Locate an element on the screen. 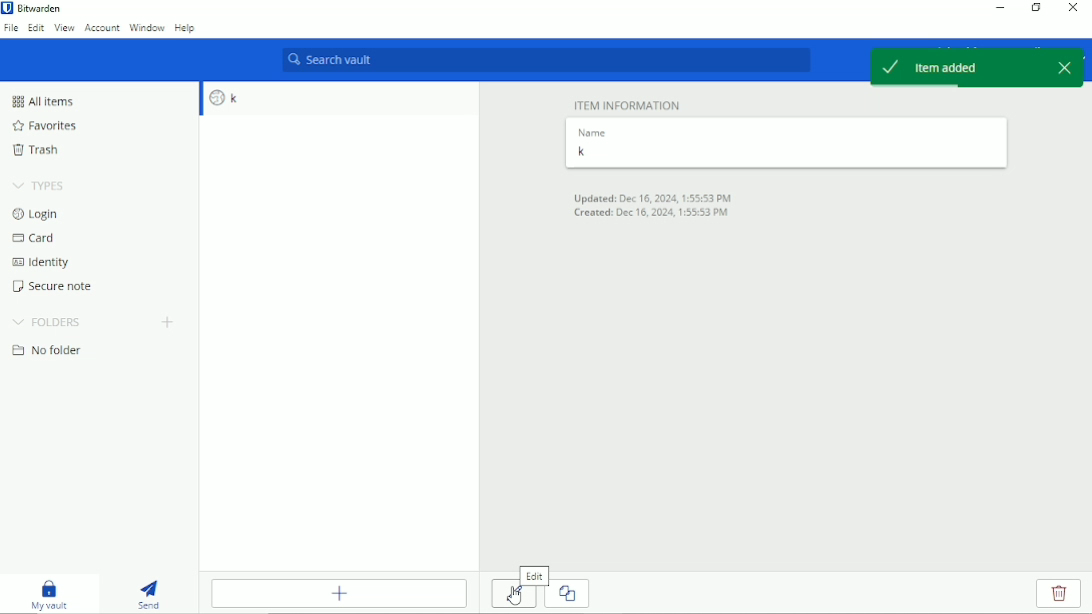  All items is located at coordinates (42, 101).